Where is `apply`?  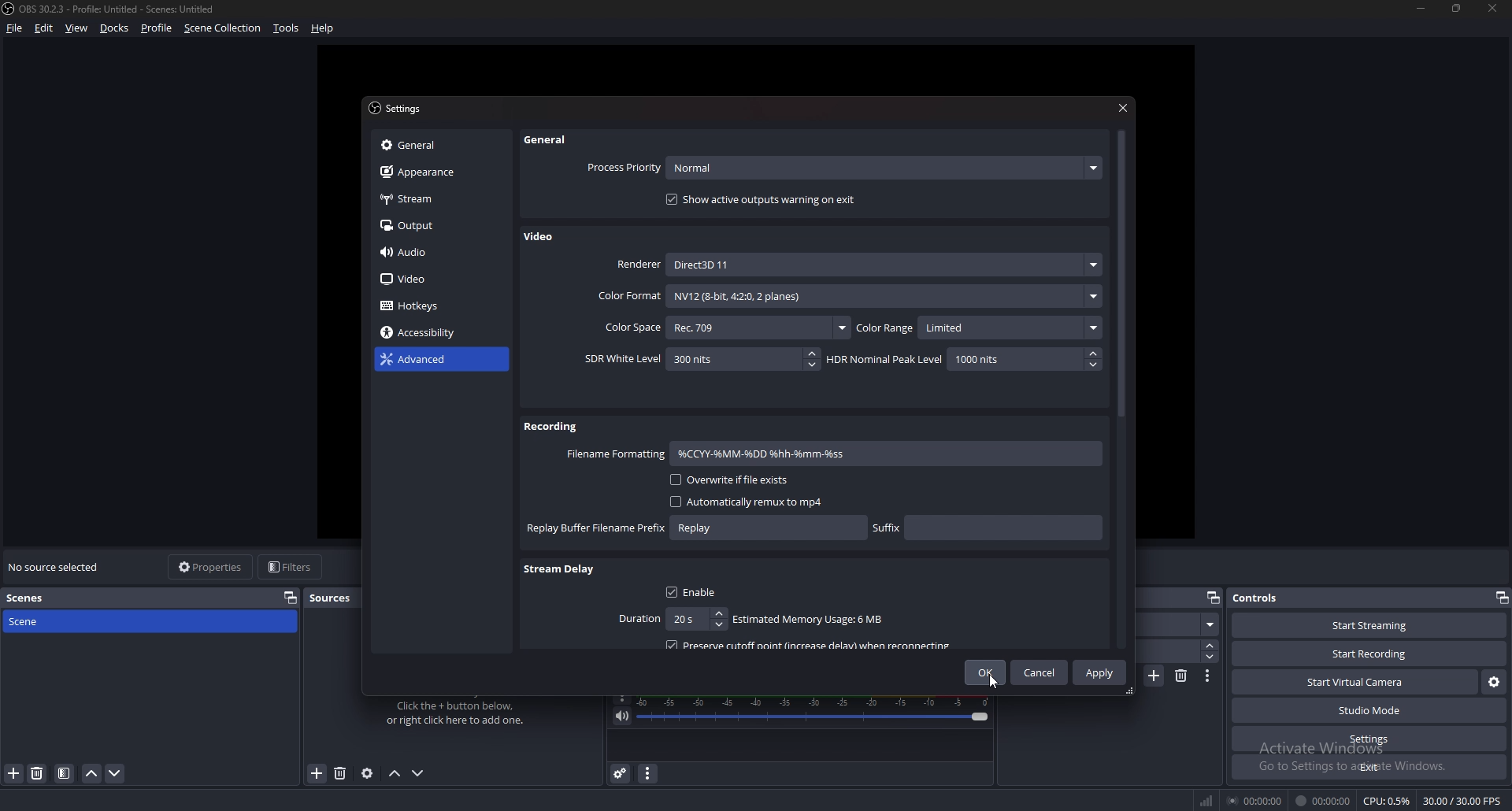
apply is located at coordinates (1099, 672).